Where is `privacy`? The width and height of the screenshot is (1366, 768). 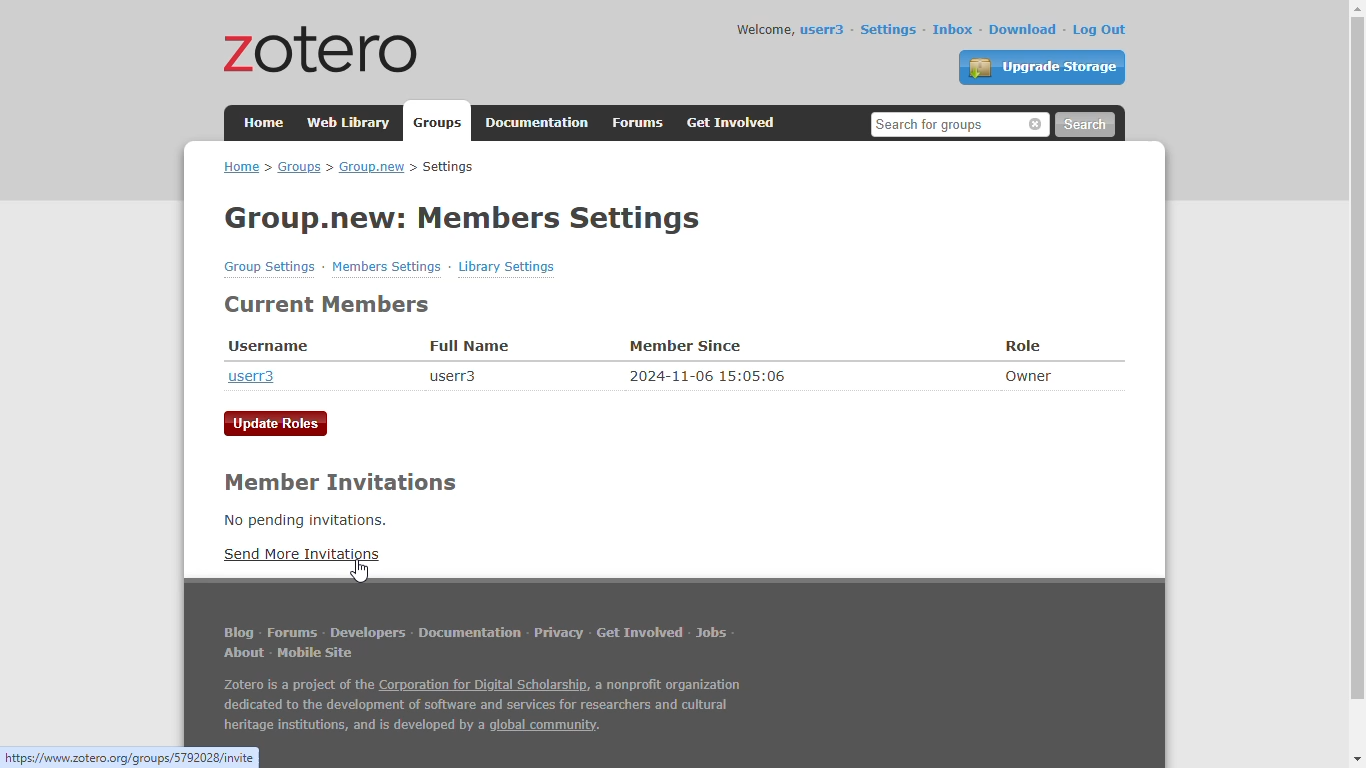
privacy is located at coordinates (559, 633).